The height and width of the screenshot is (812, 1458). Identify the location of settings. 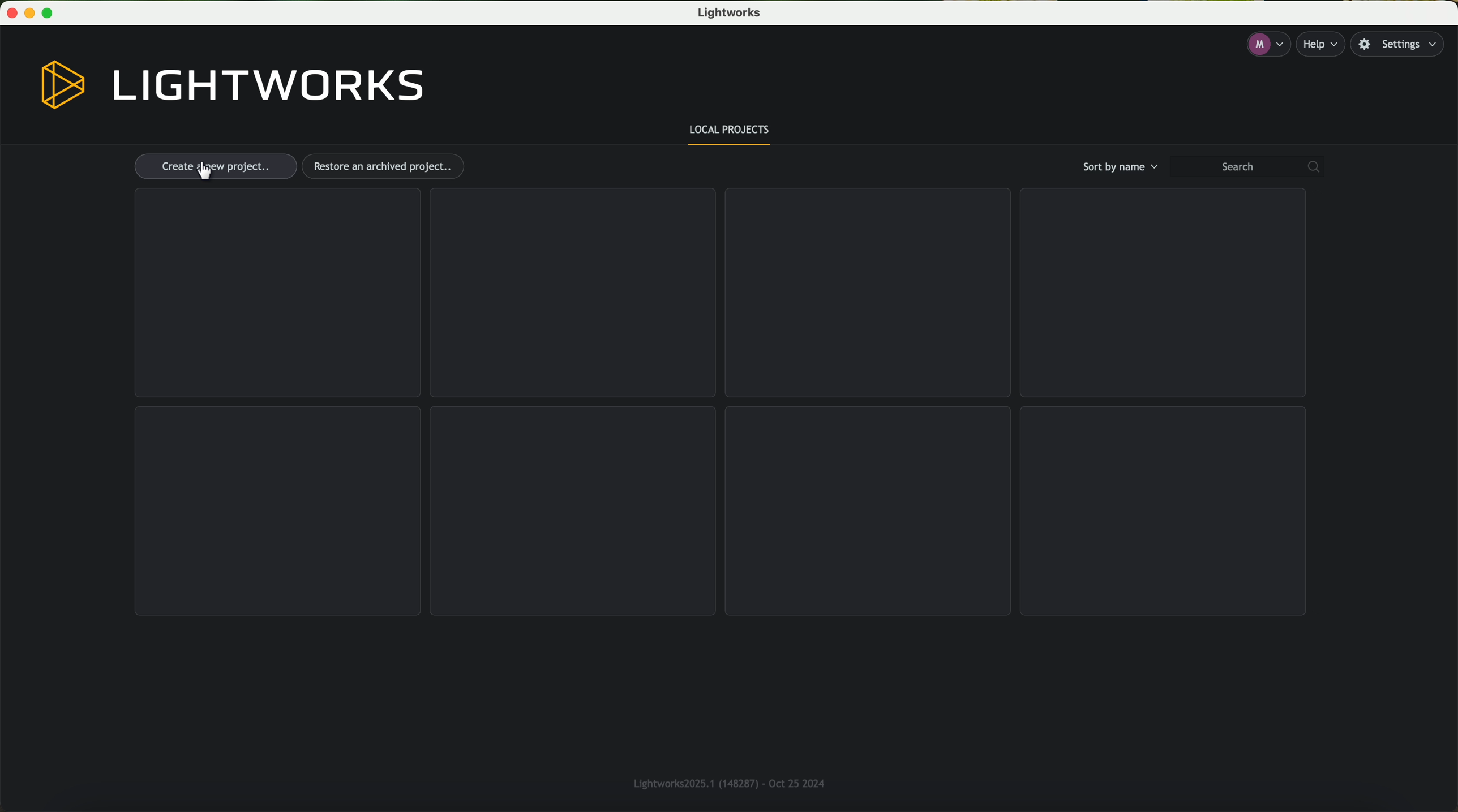
(1403, 45).